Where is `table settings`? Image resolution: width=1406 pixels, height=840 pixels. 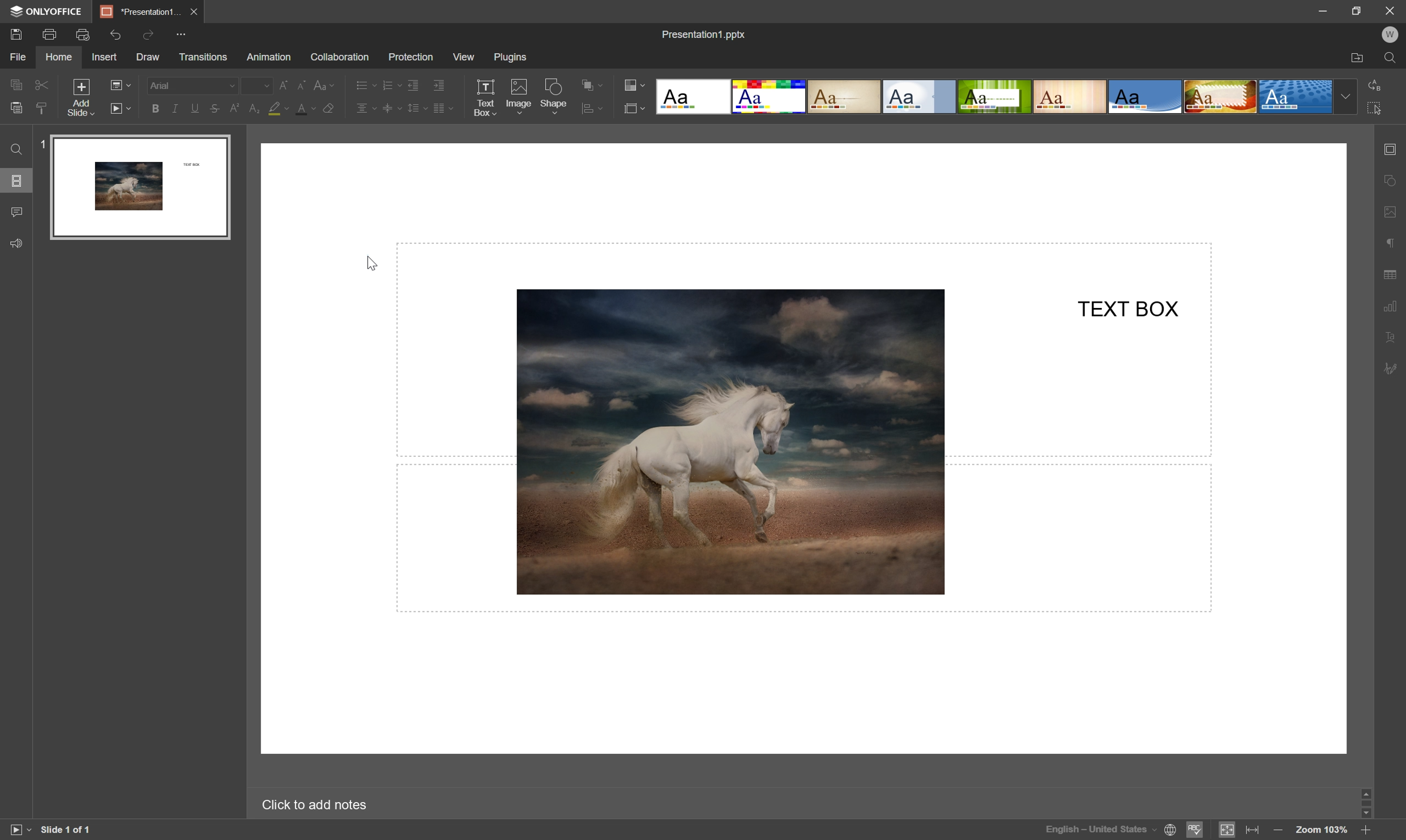
table settings is located at coordinates (1391, 275).